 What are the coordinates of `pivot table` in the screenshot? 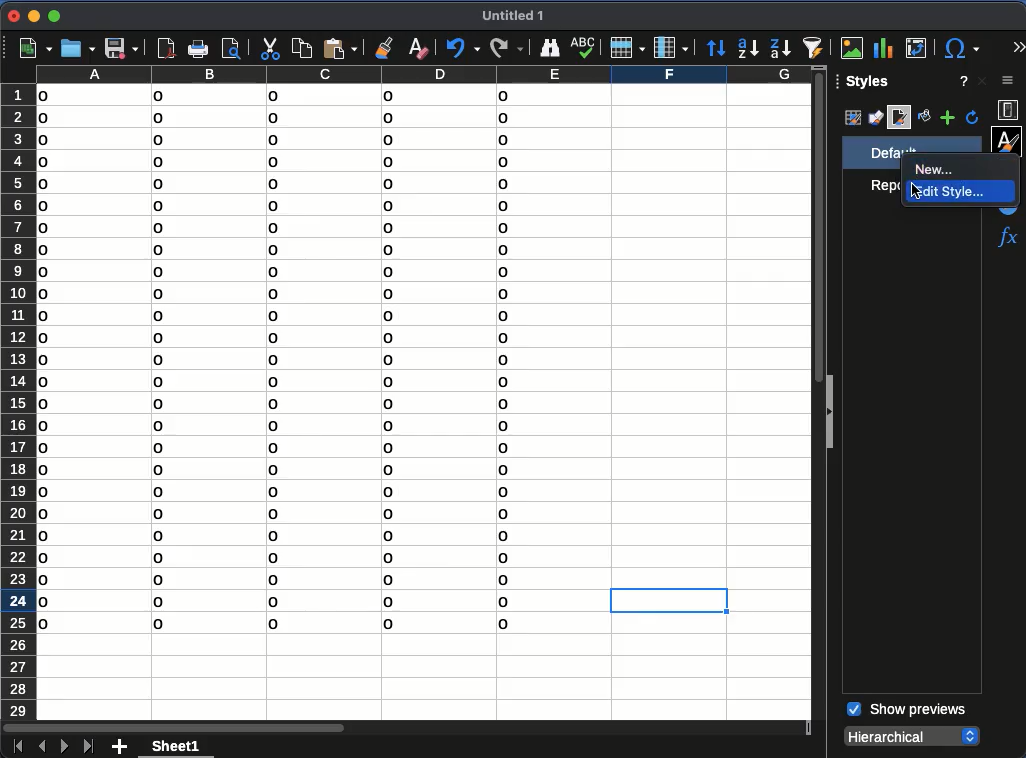 It's located at (918, 48).